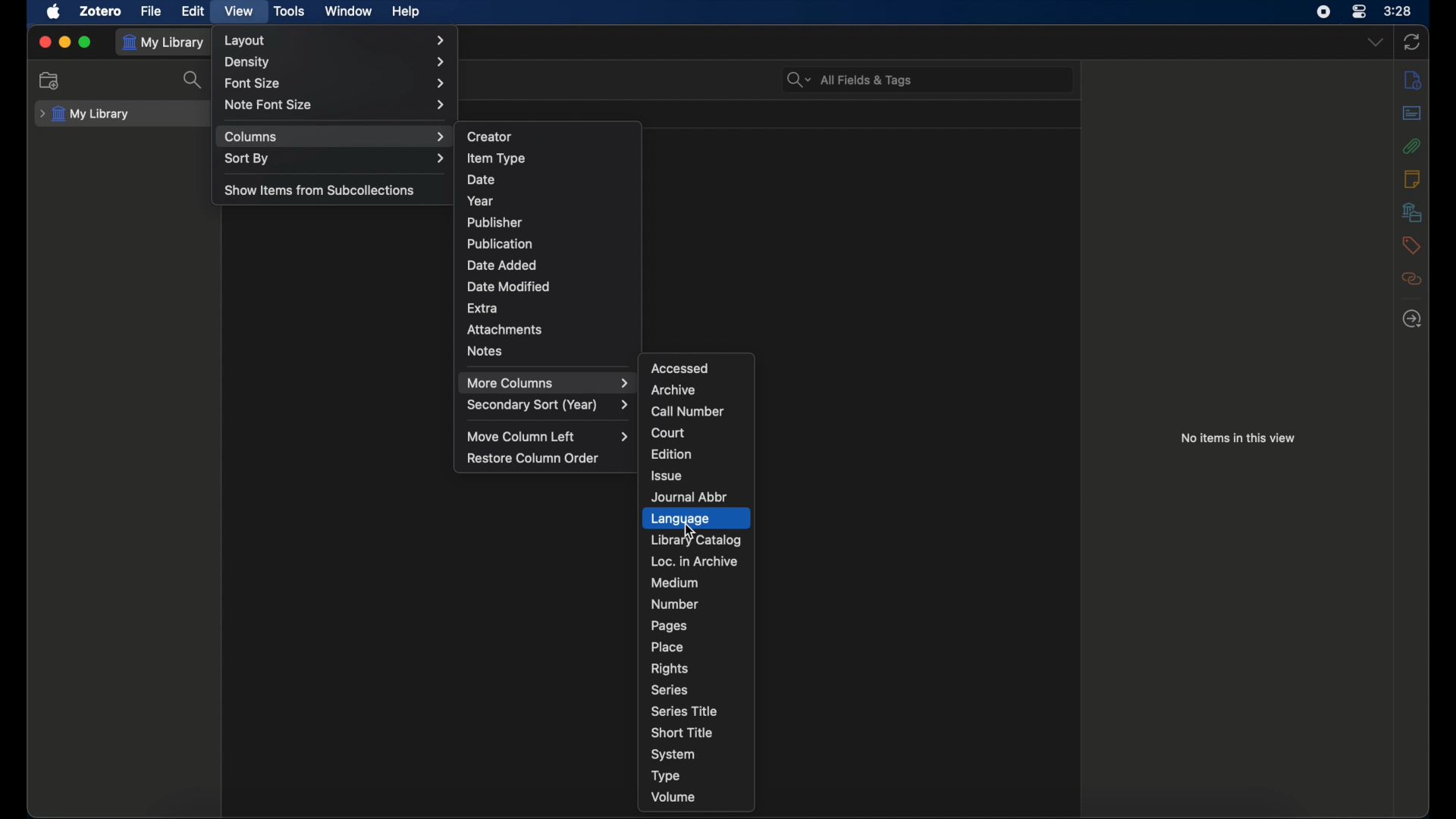 The image size is (1456, 819). What do you see at coordinates (191, 11) in the screenshot?
I see `edit` at bounding box center [191, 11].